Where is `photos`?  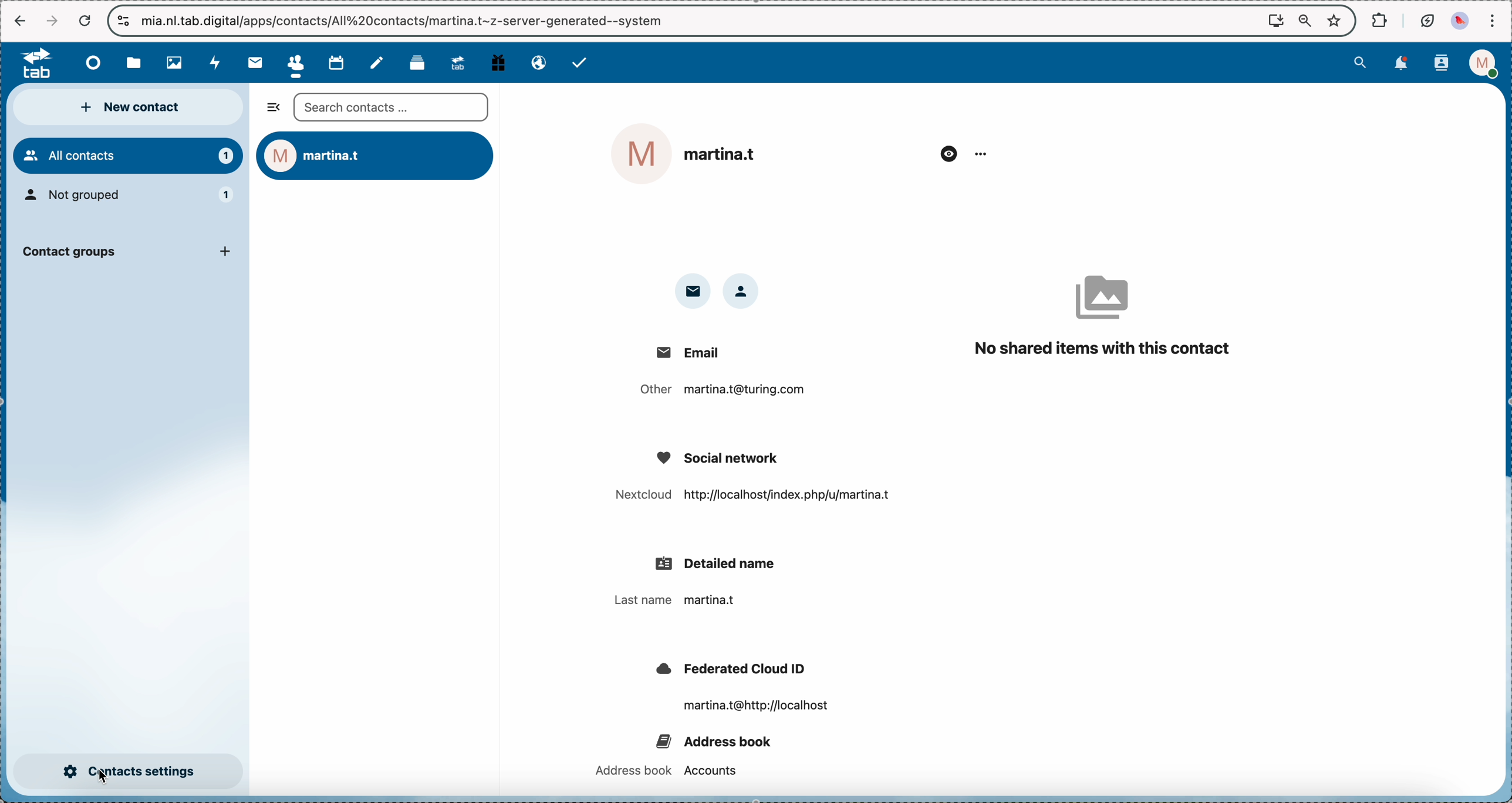 photos is located at coordinates (176, 63).